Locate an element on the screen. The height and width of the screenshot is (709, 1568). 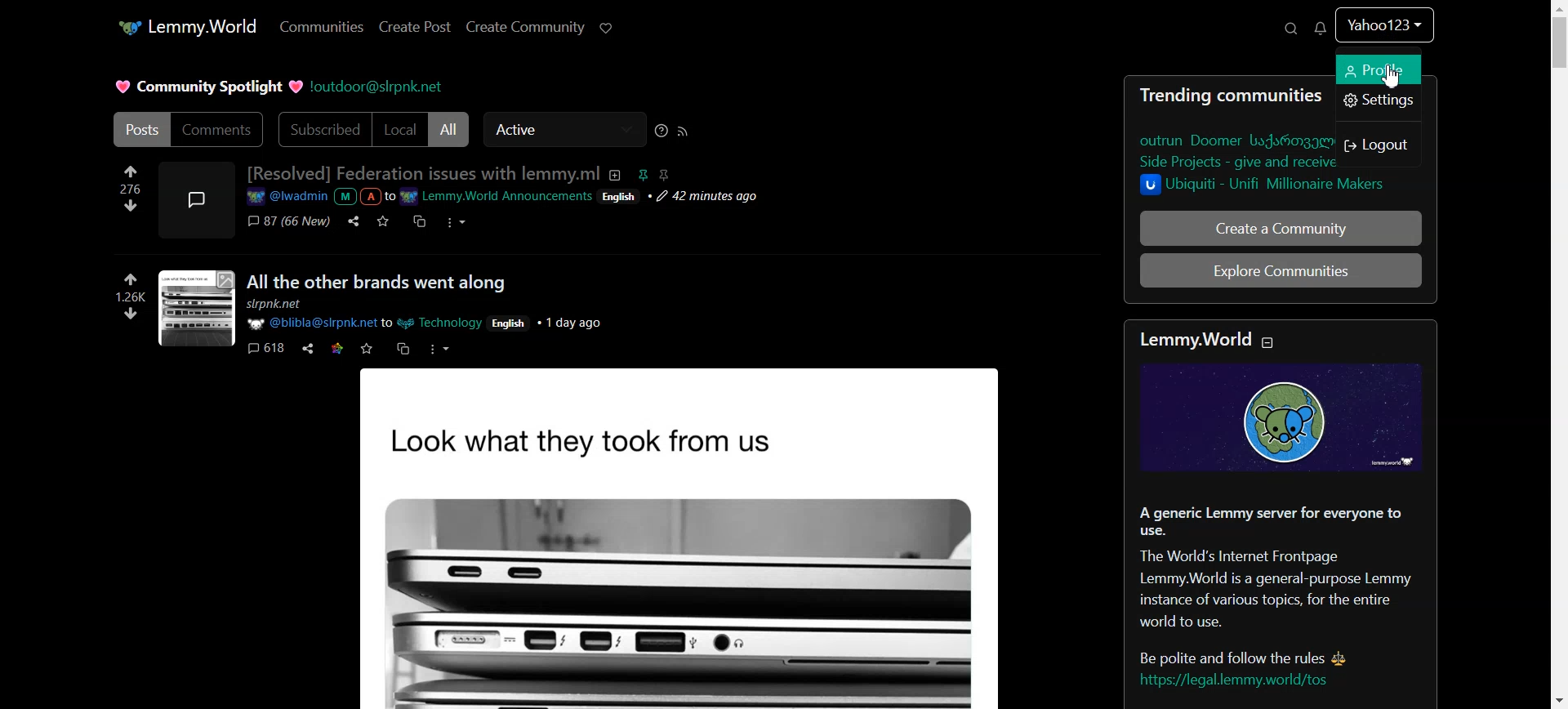
M A to is located at coordinates (364, 197).